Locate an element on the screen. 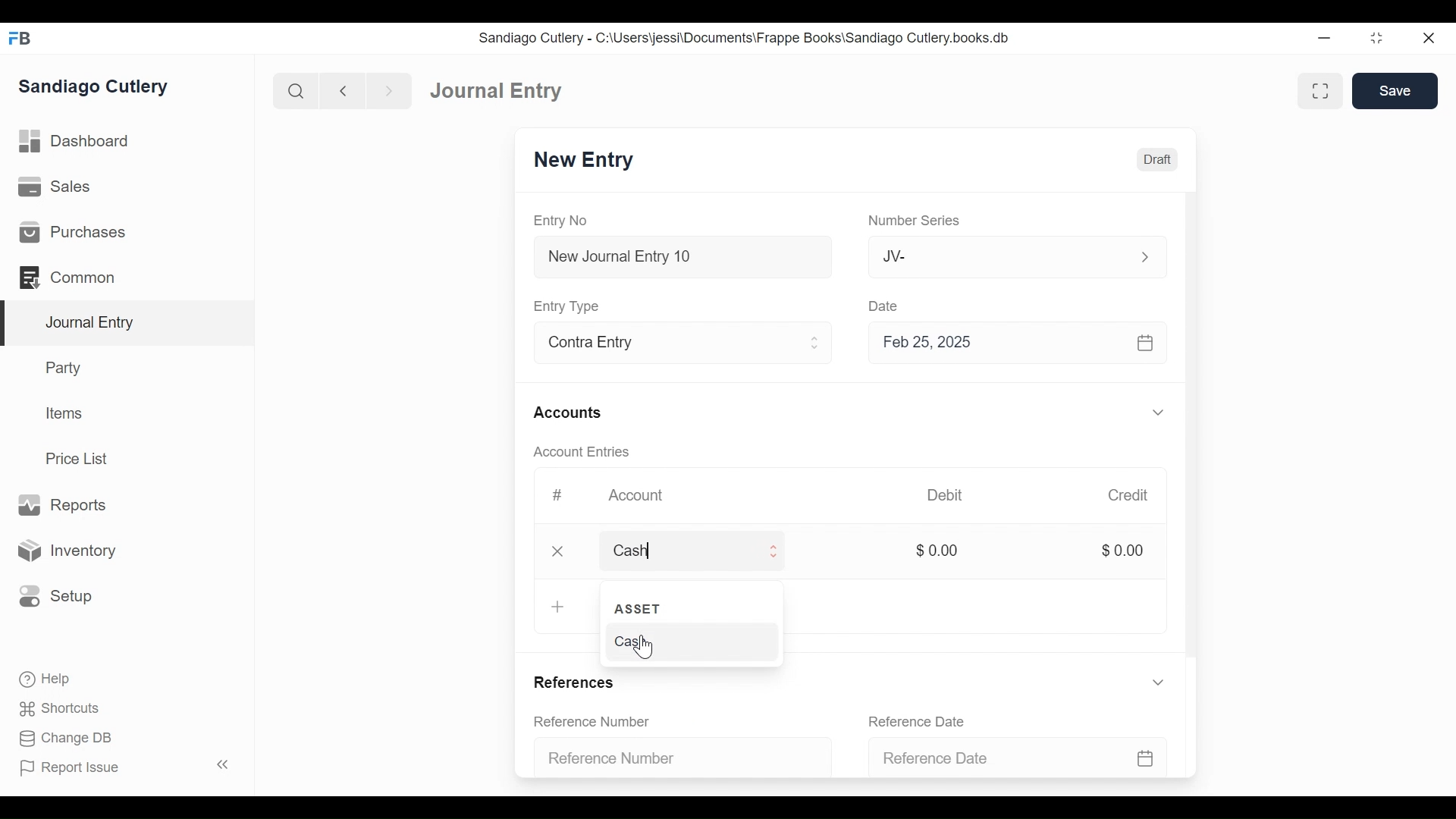 This screenshot has height=819, width=1456. Navigate Back is located at coordinates (344, 91).